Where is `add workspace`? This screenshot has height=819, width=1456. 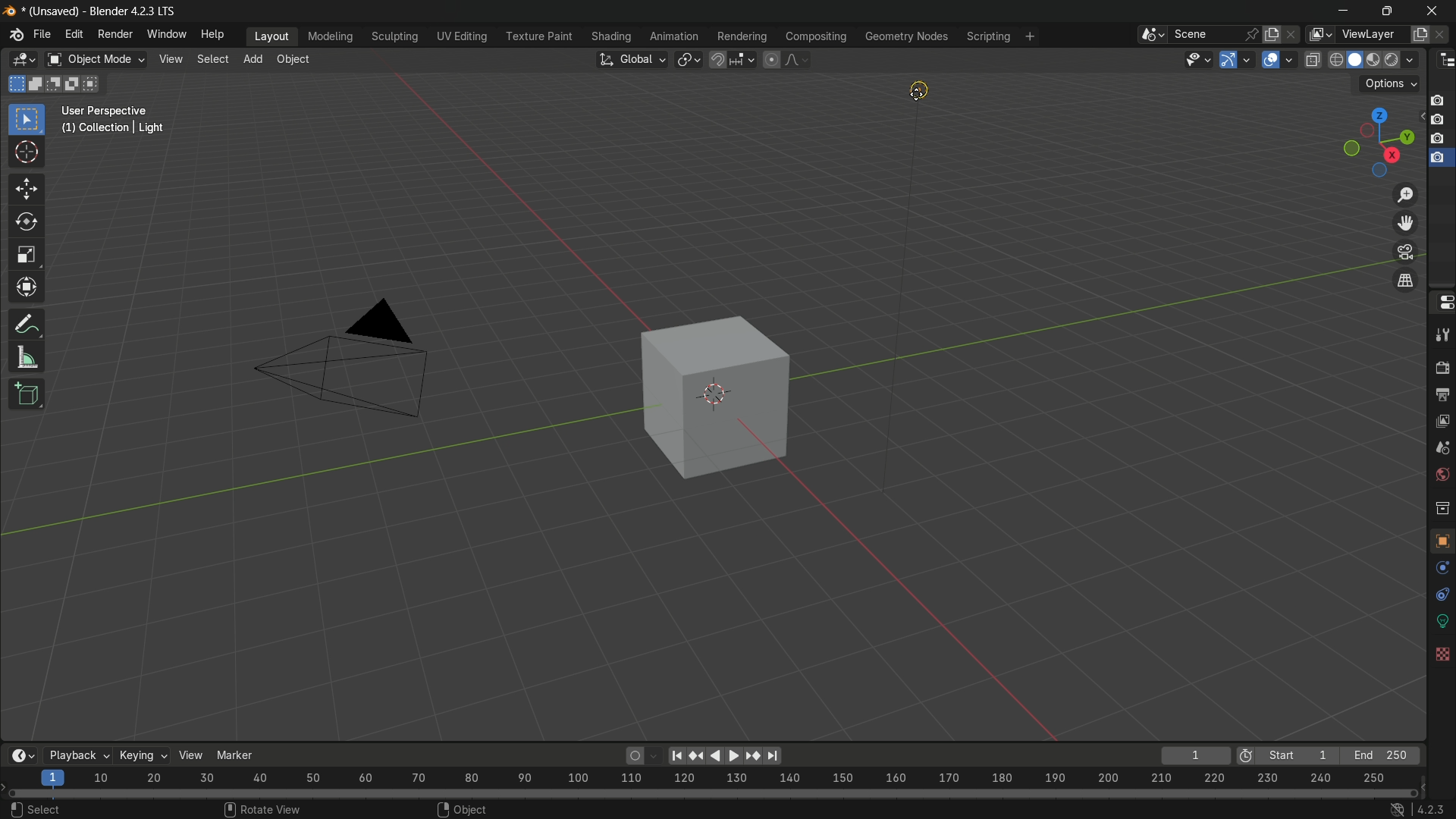 add workspace is located at coordinates (1031, 36).